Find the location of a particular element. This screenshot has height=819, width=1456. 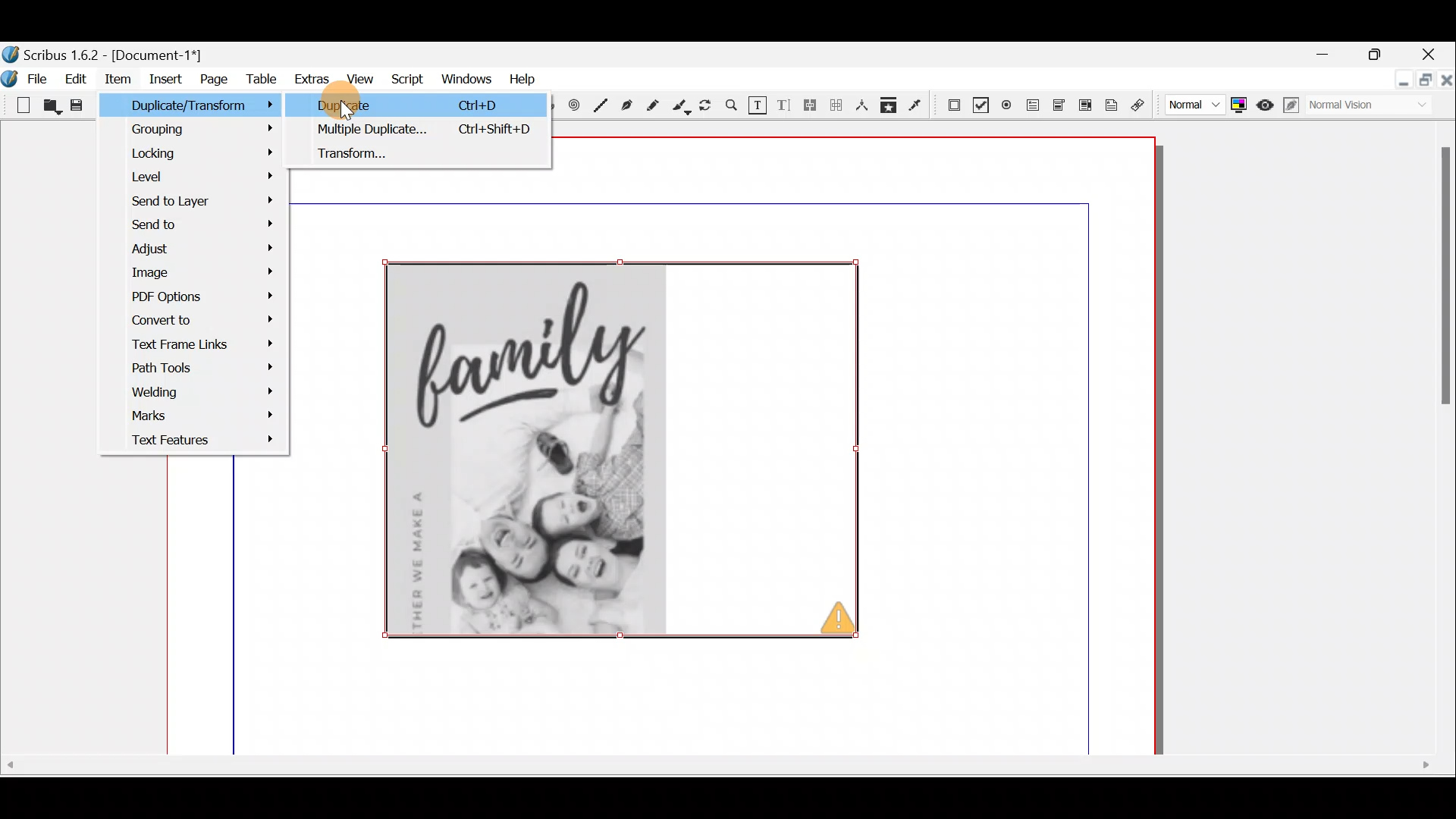

Eye dropper is located at coordinates (918, 106).